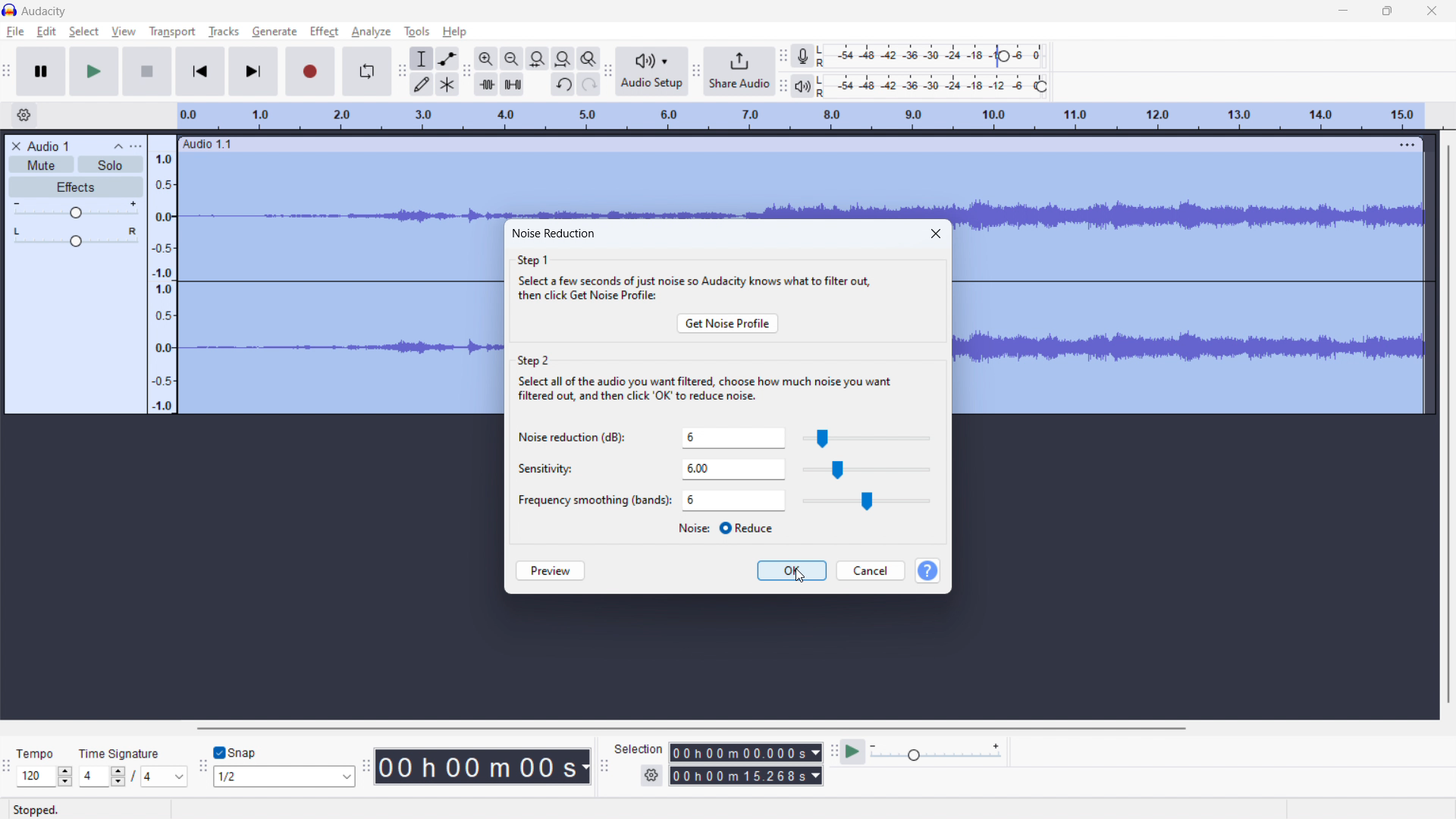 Image resolution: width=1456 pixels, height=819 pixels. Describe the element at coordinates (96, 71) in the screenshot. I see `play` at that location.